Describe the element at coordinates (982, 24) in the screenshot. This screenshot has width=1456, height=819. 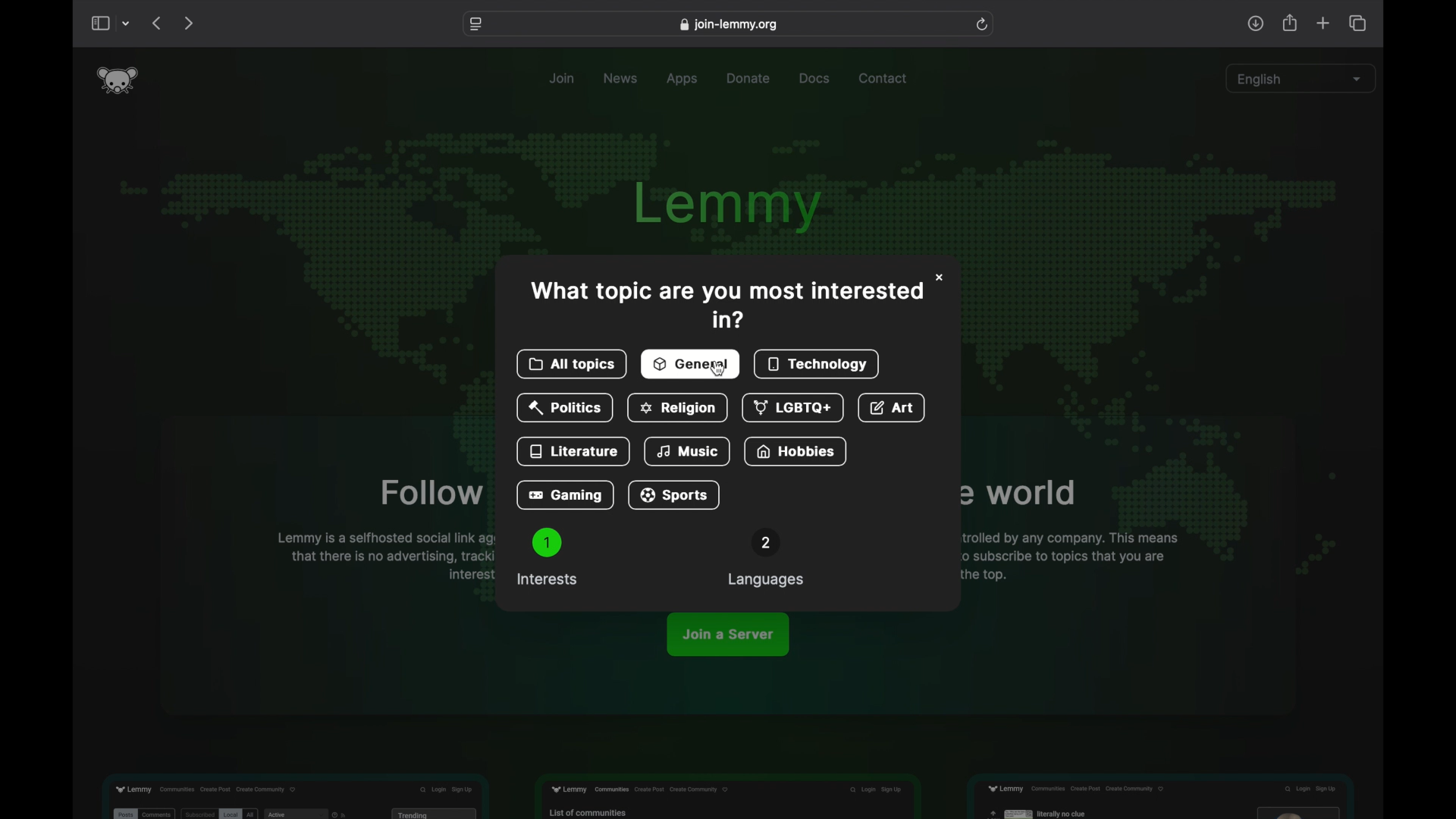
I see `refresh` at that location.